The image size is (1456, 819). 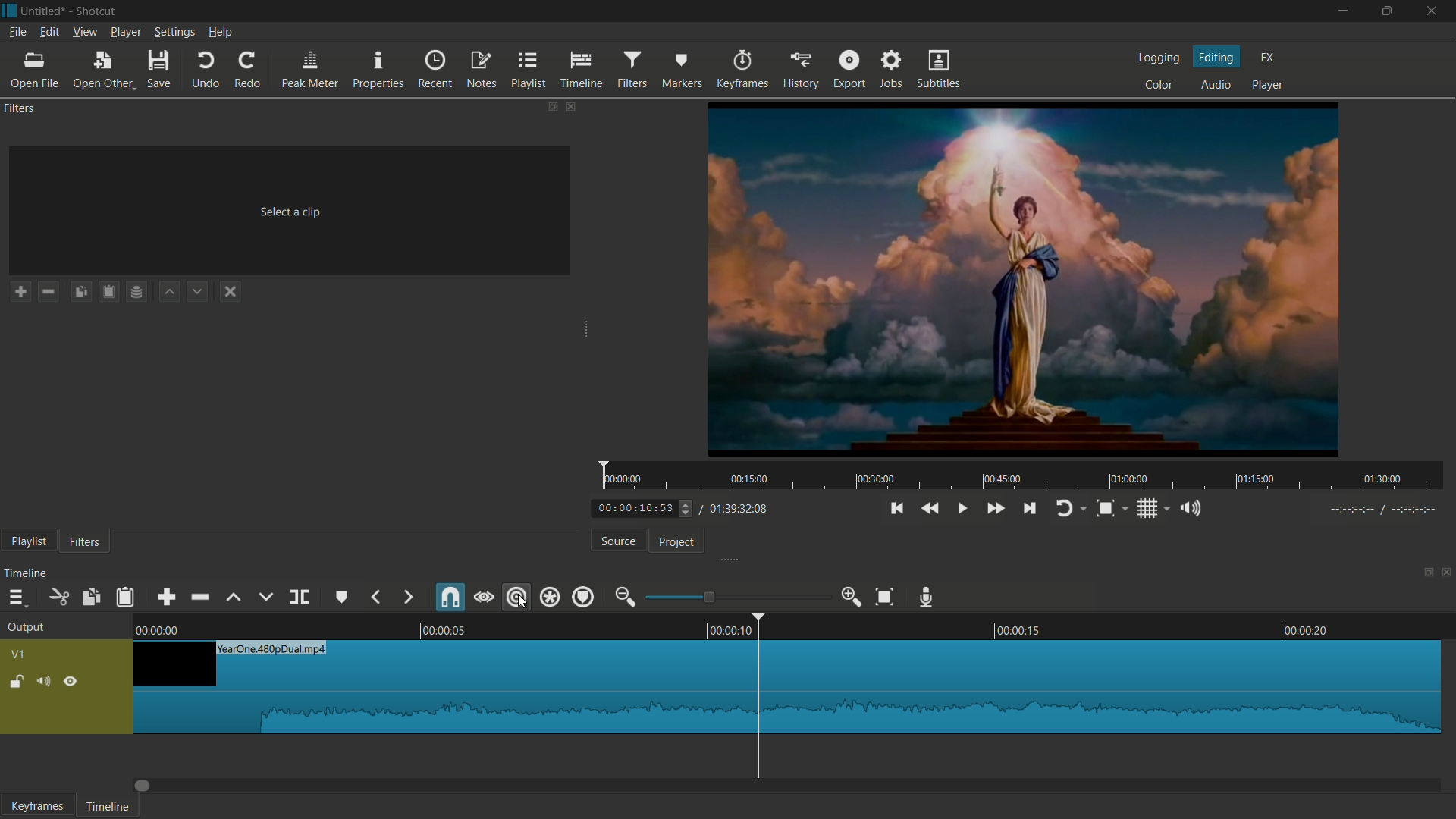 I want to click on open file, so click(x=33, y=70).